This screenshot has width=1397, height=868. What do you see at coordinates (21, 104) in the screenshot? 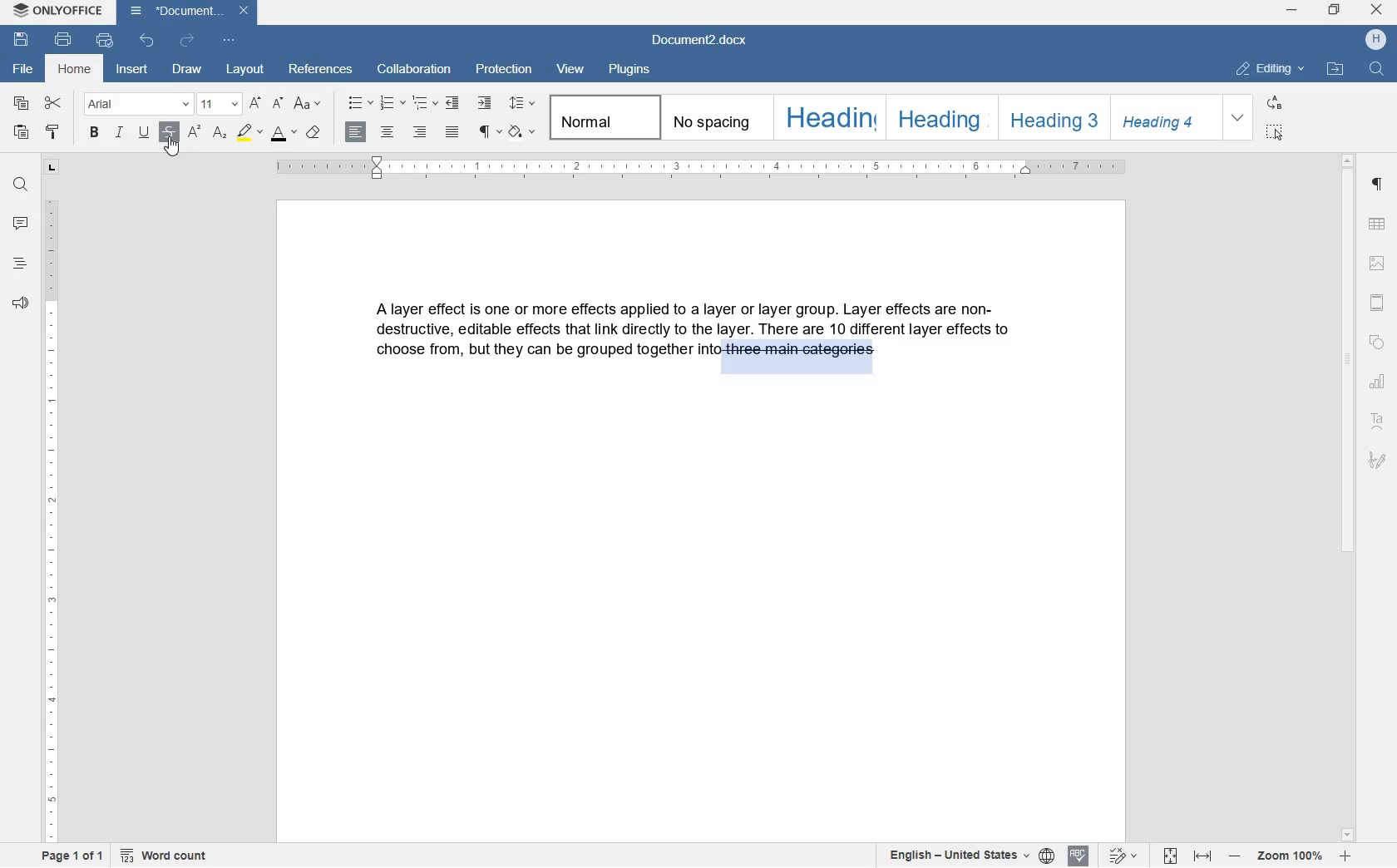
I see `copy` at bounding box center [21, 104].